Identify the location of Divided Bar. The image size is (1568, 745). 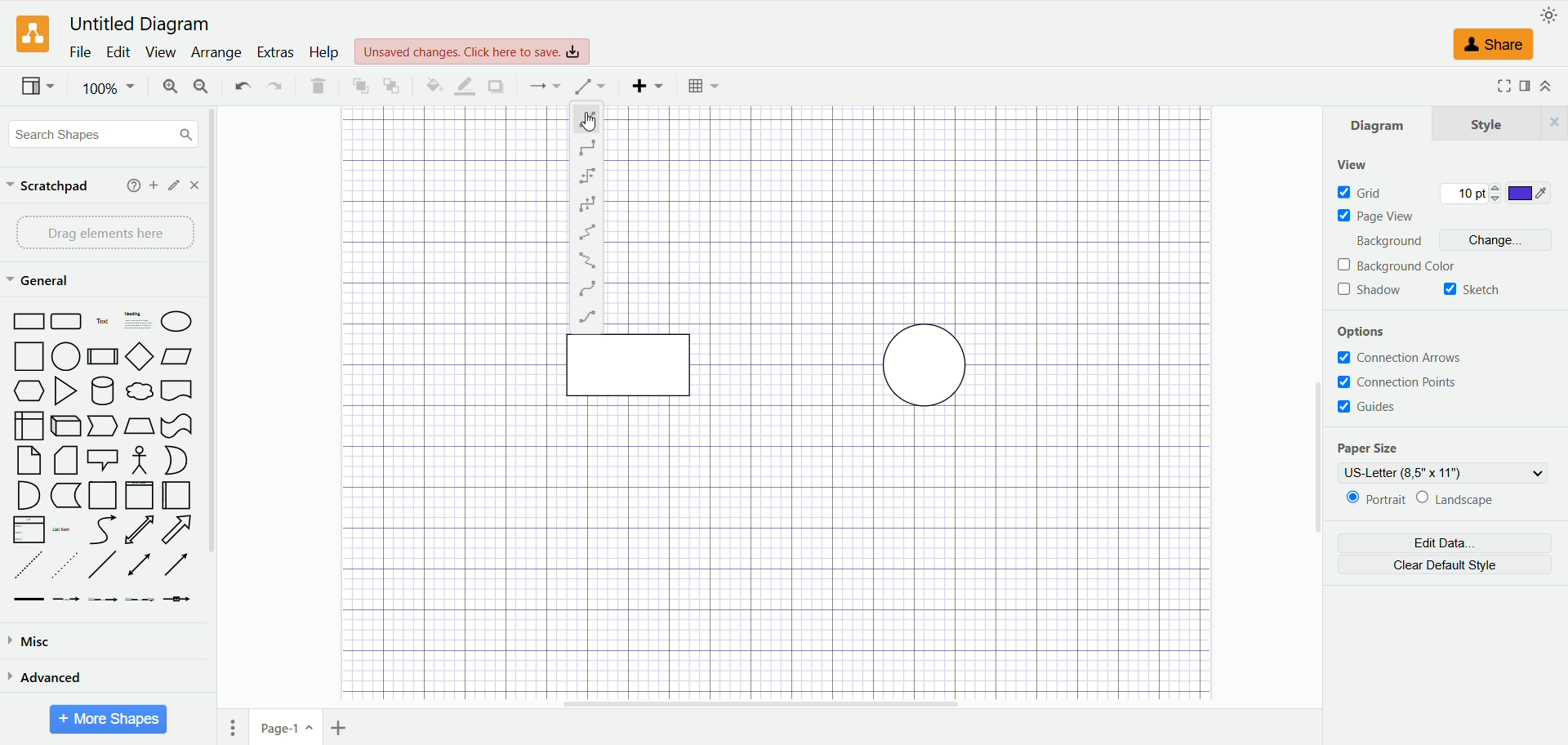
(103, 356).